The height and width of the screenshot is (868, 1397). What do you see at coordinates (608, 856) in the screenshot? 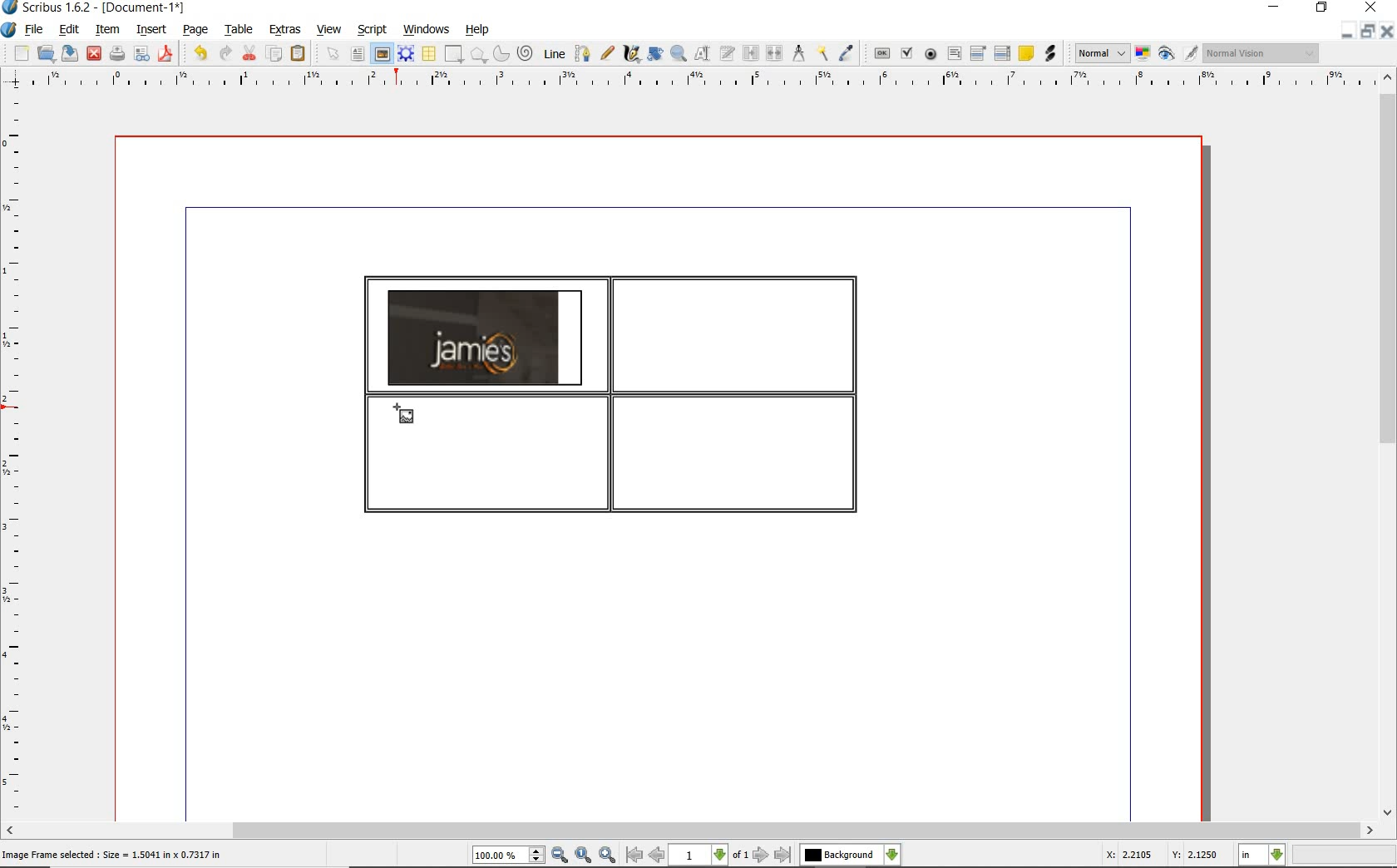
I see `zoom in` at bounding box center [608, 856].